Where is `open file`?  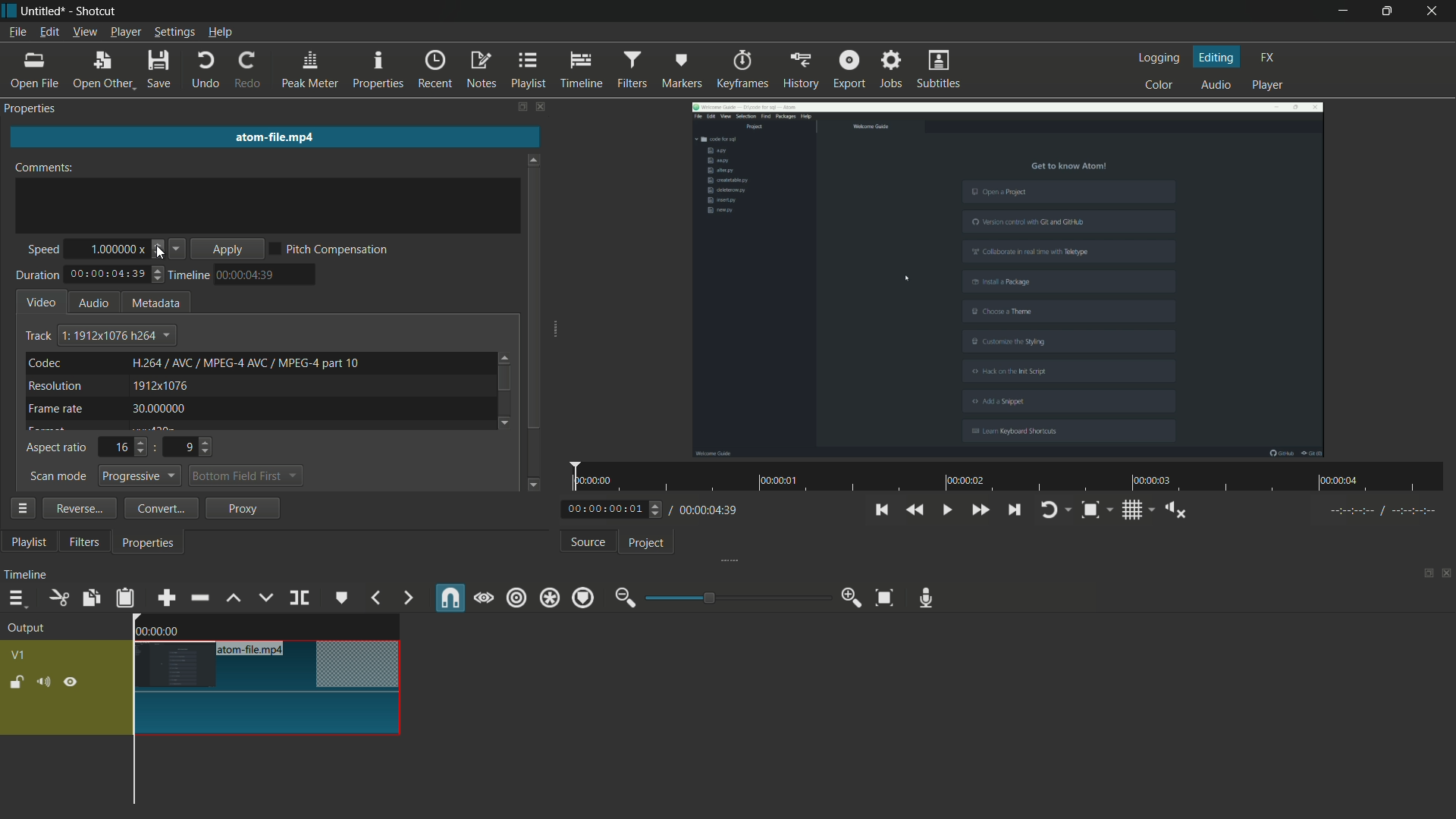
open file is located at coordinates (31, 71).